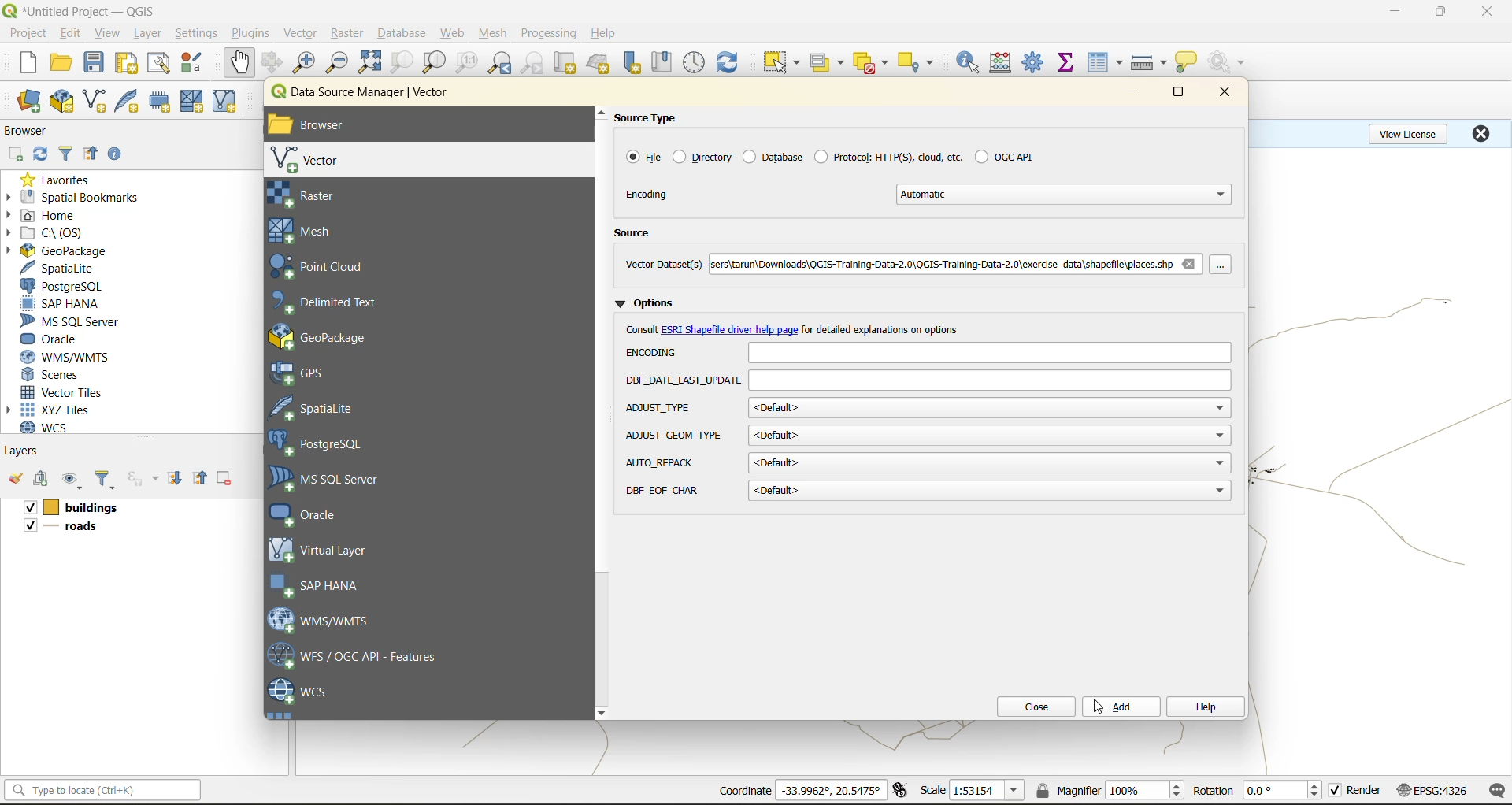 This screenshot has width=1512, height=805. I want to click on zoom layer, so click(435, 65).